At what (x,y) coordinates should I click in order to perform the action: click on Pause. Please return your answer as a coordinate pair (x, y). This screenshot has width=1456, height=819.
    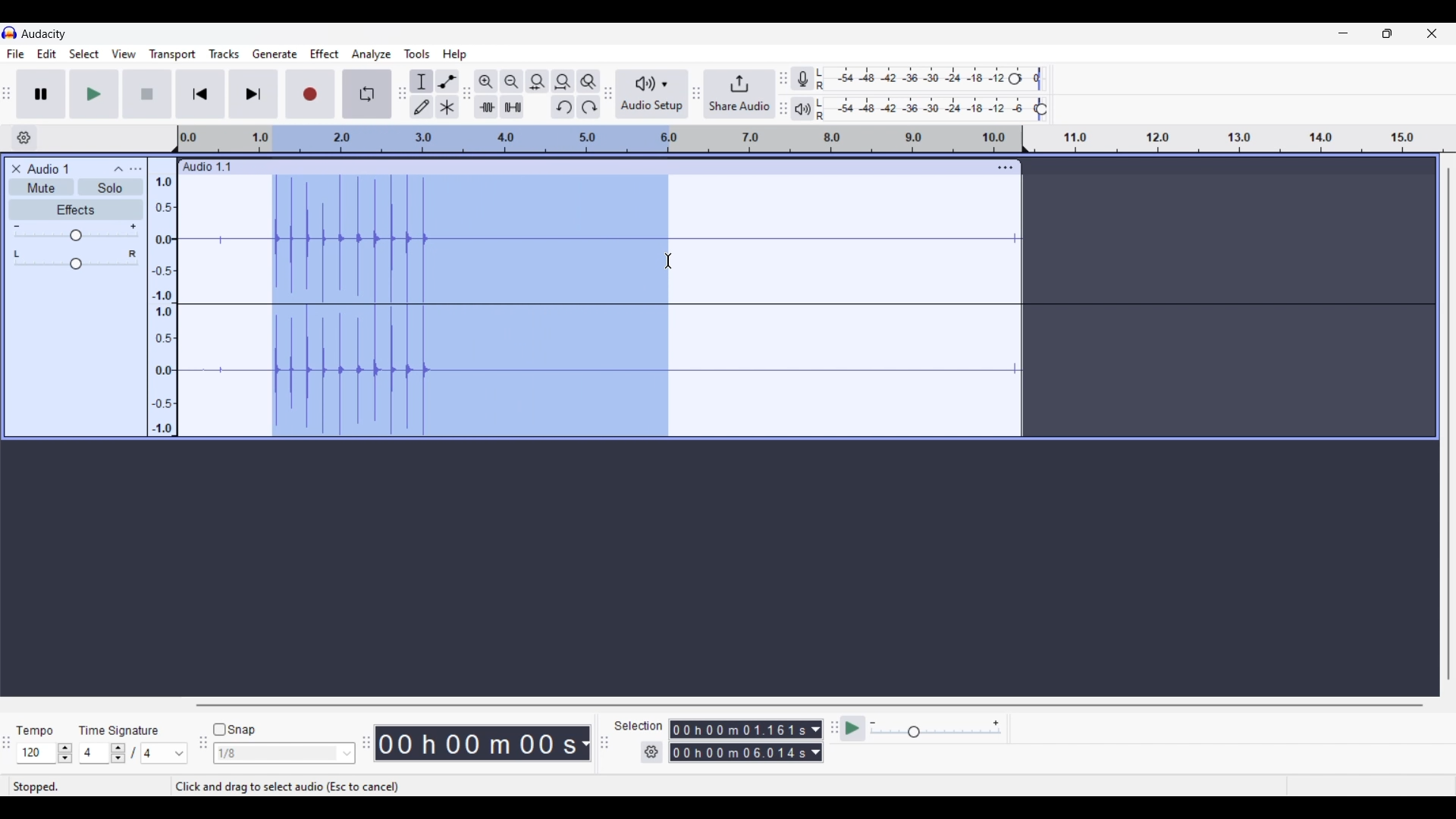
    Looking at the image, I should click on (42, 94).